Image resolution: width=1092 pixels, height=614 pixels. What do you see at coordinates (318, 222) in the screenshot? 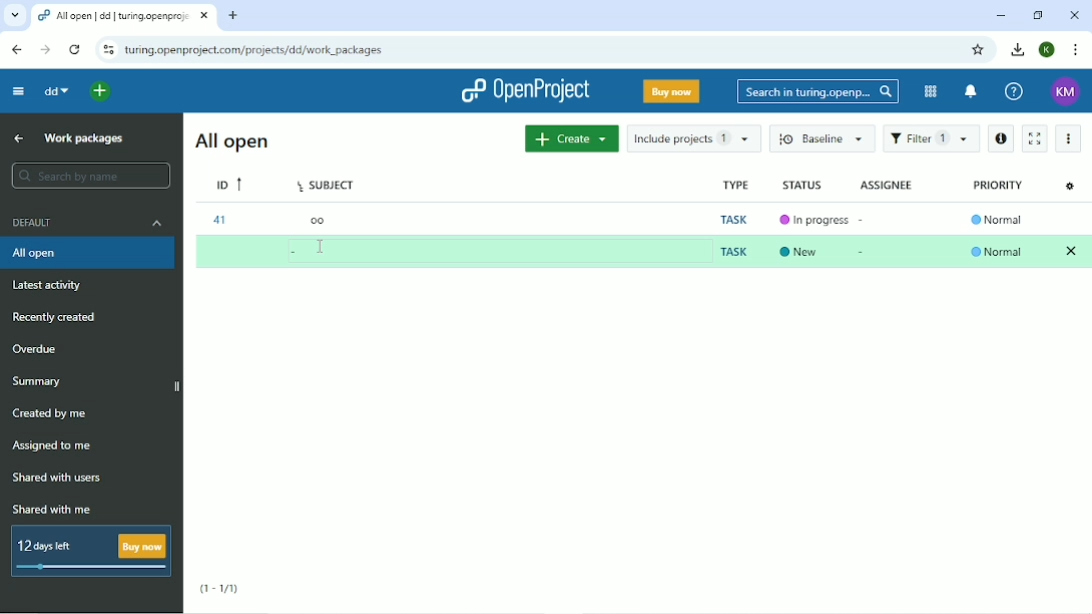
I see `oo` at bounding box center [318, 222].